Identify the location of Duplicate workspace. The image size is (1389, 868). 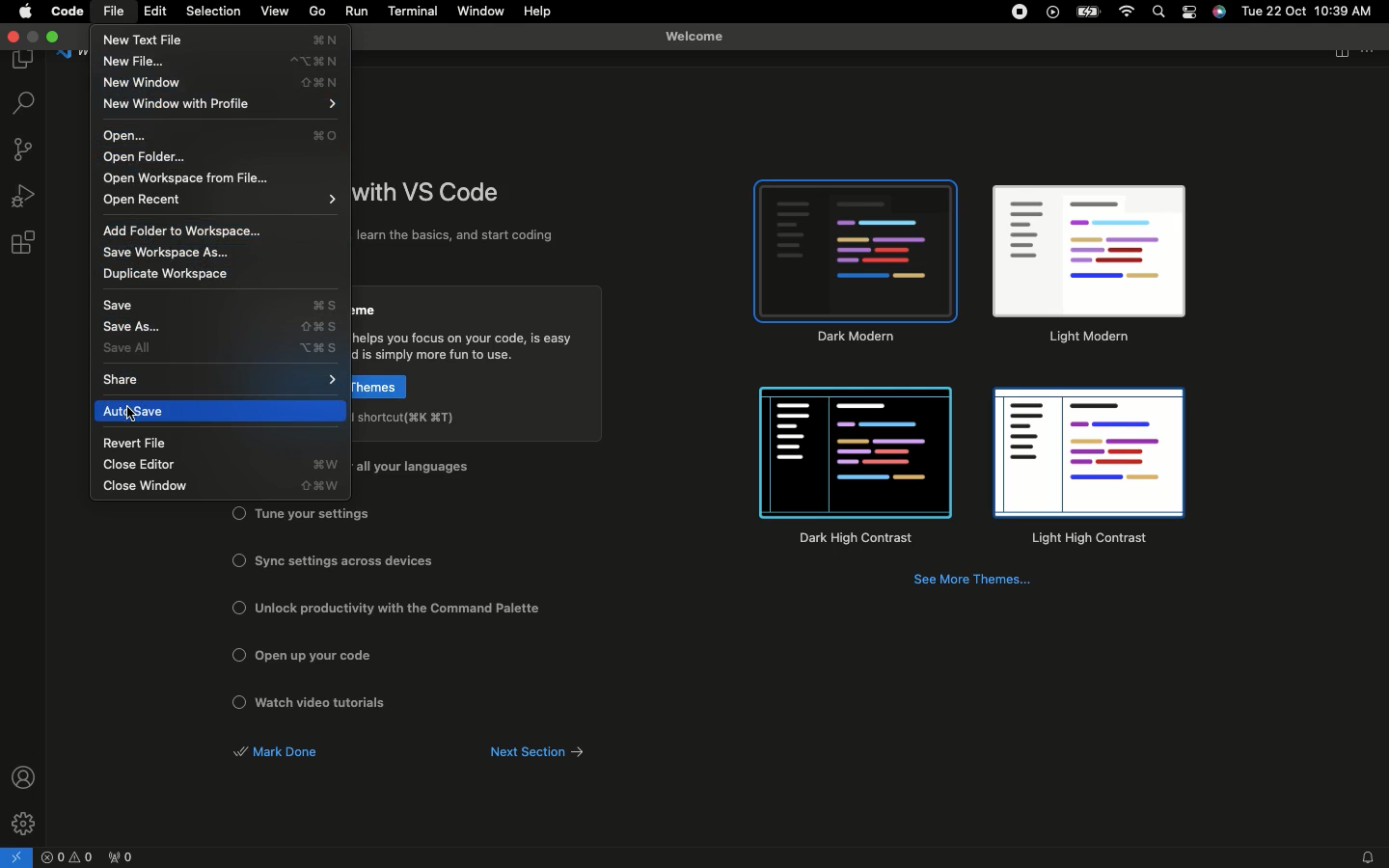
(173, 279).